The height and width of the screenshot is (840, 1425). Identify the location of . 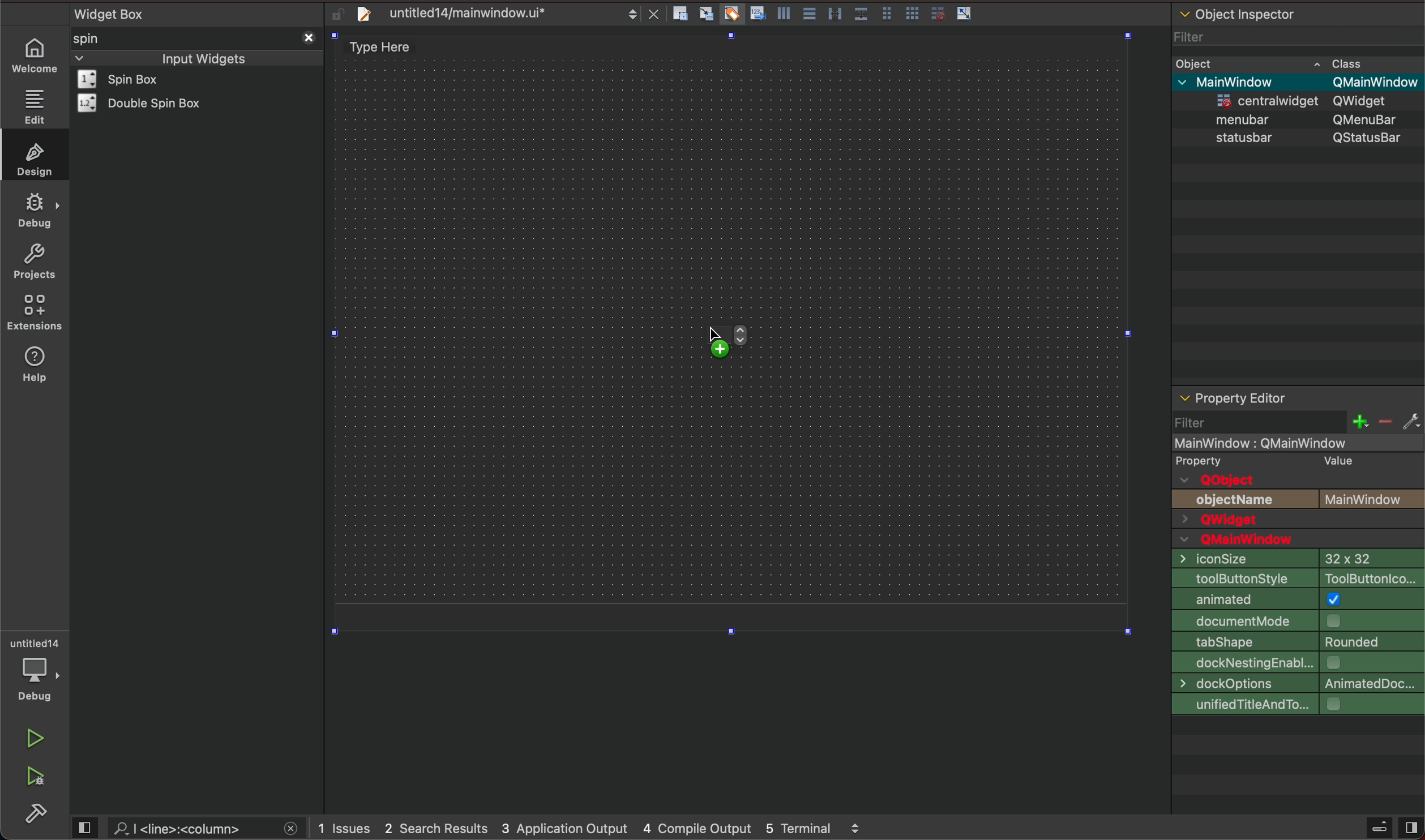
(1265, 98).